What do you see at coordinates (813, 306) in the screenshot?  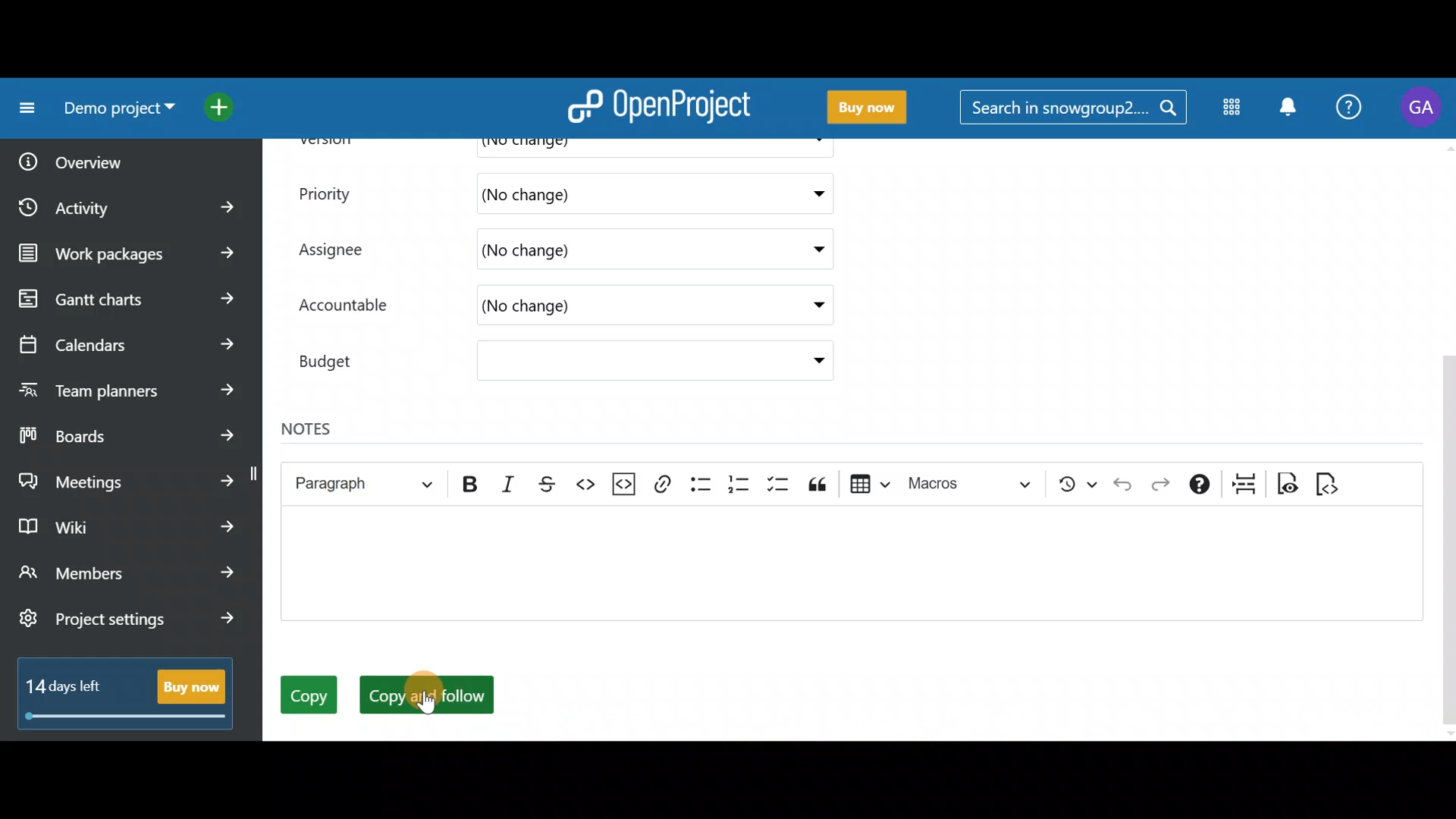 I see `Accountable drop down` at bounding box center [813, 306].